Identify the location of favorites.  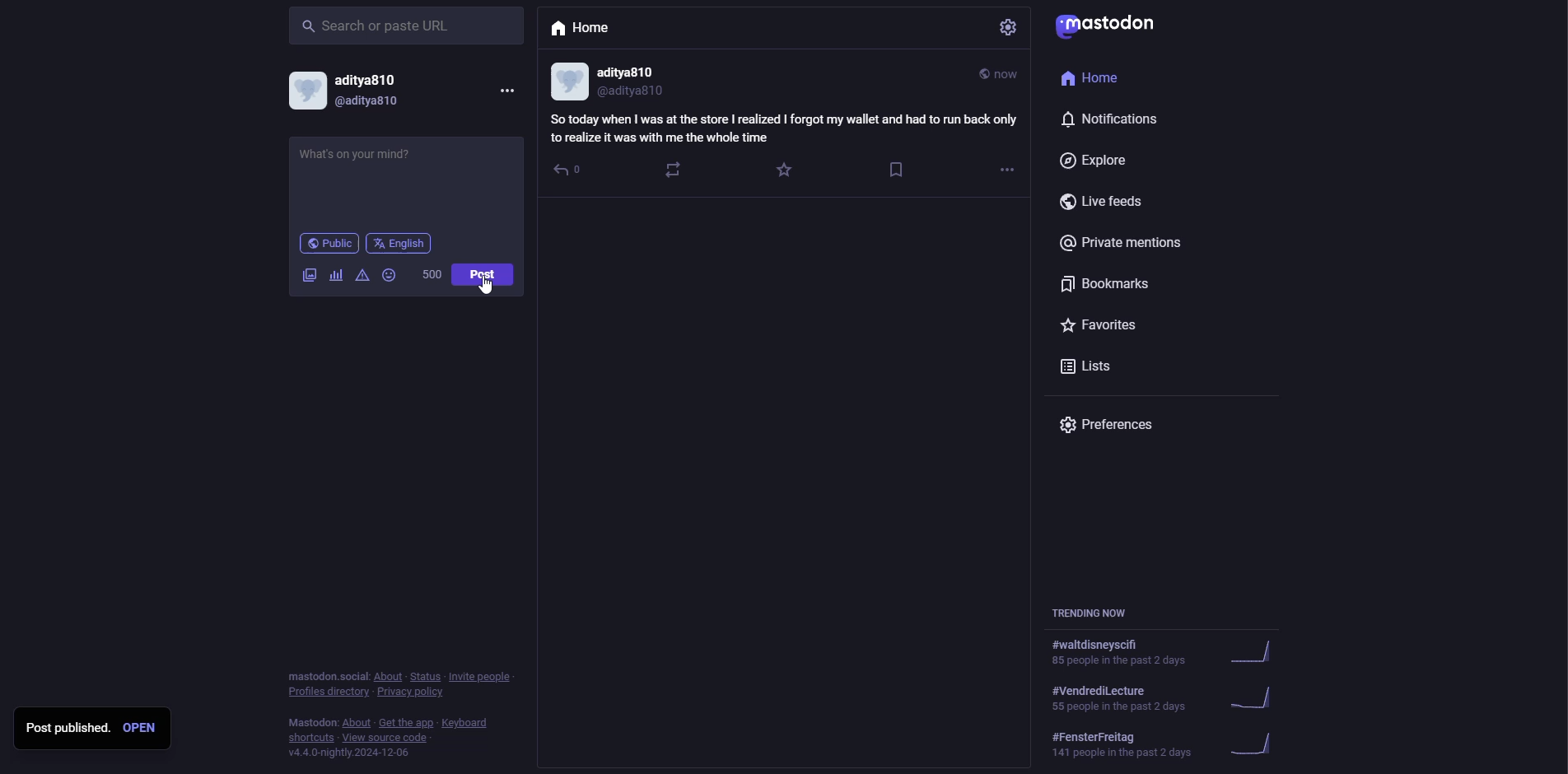
(1102, 325).